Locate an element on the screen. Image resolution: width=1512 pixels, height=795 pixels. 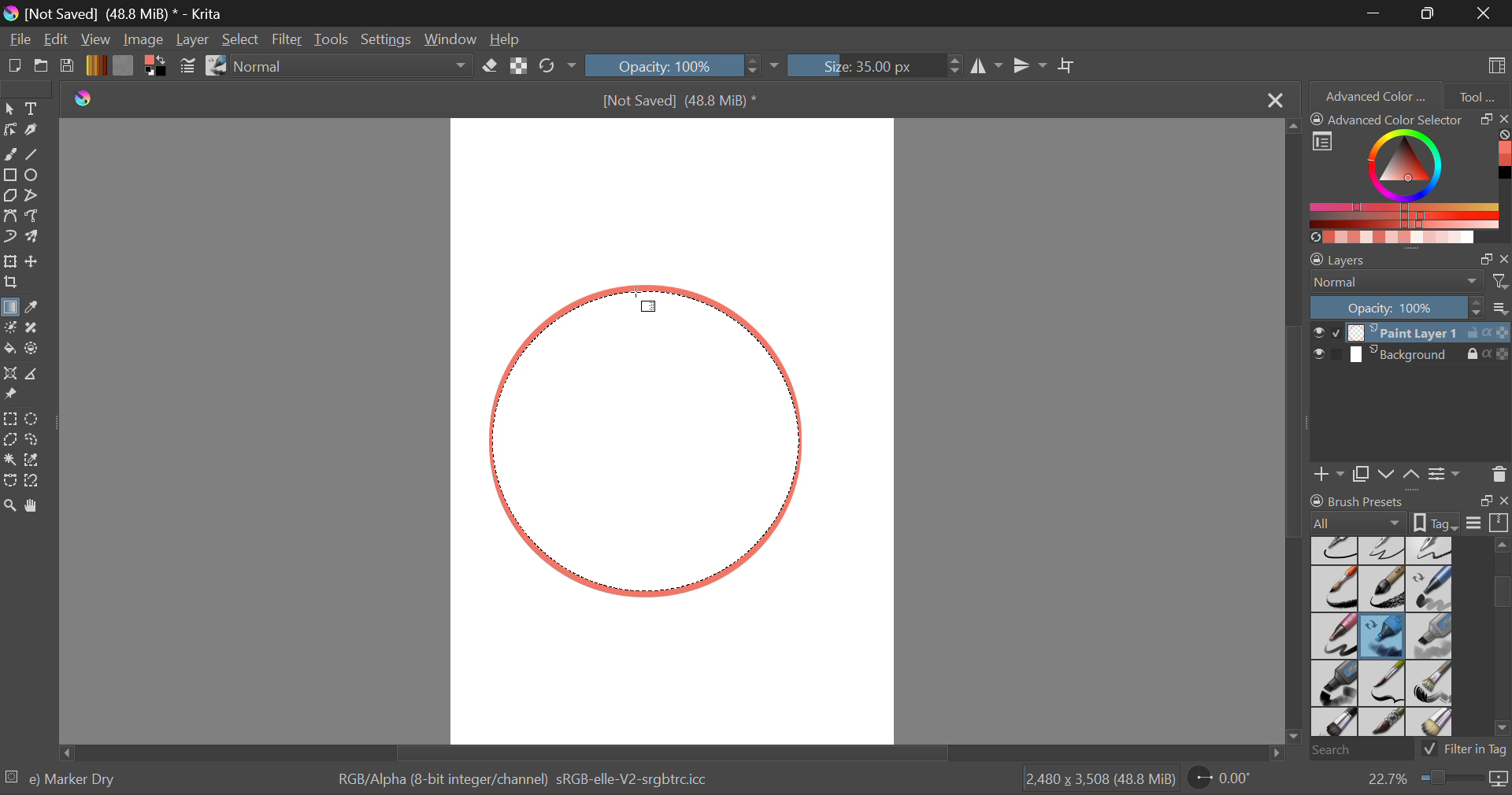
Ink-7 Brush Rough is located at coordinates (1332, 590).